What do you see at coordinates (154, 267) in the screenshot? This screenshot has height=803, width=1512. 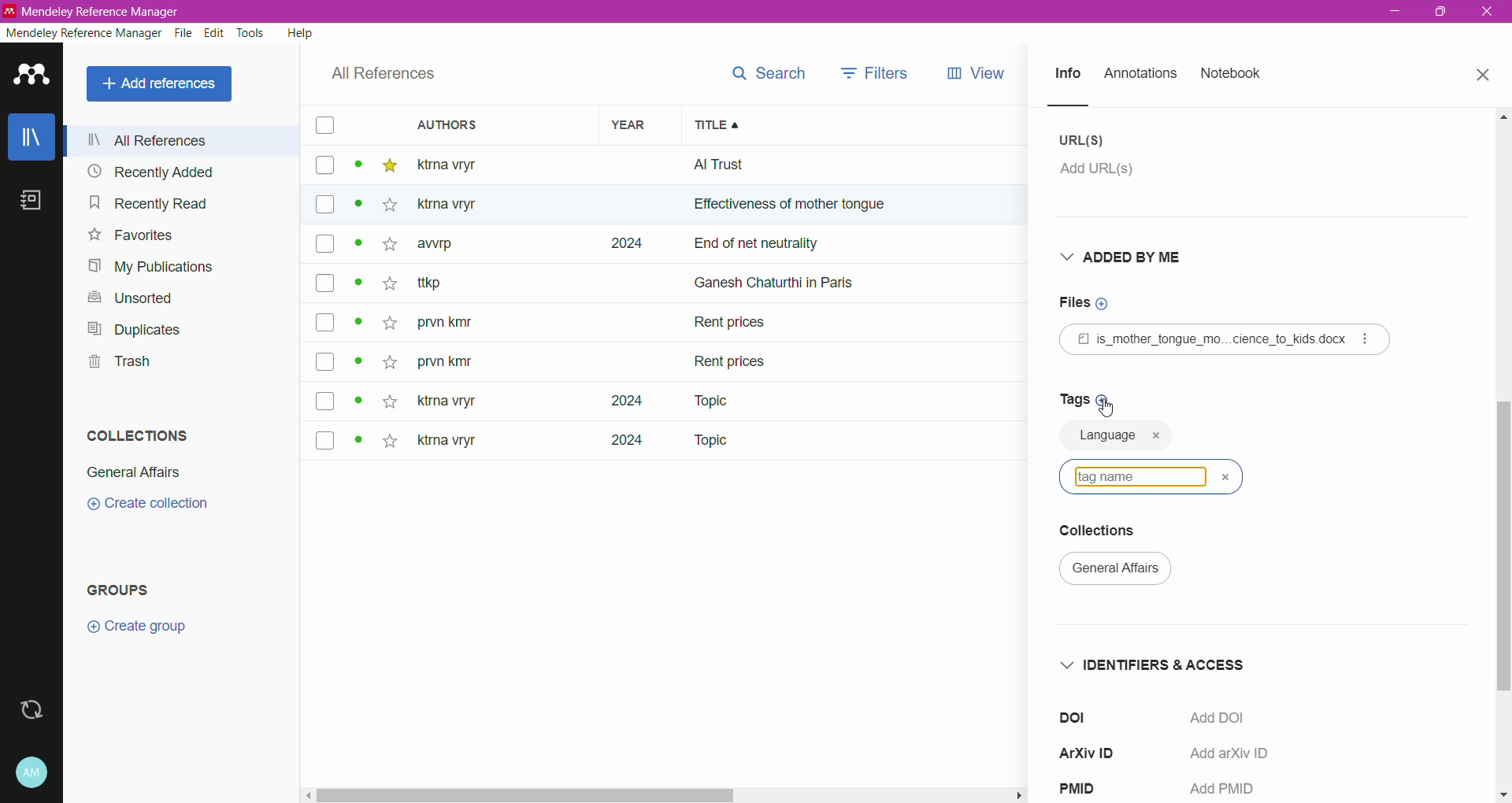 I see `My Publications` at bounding box center [154, 267].